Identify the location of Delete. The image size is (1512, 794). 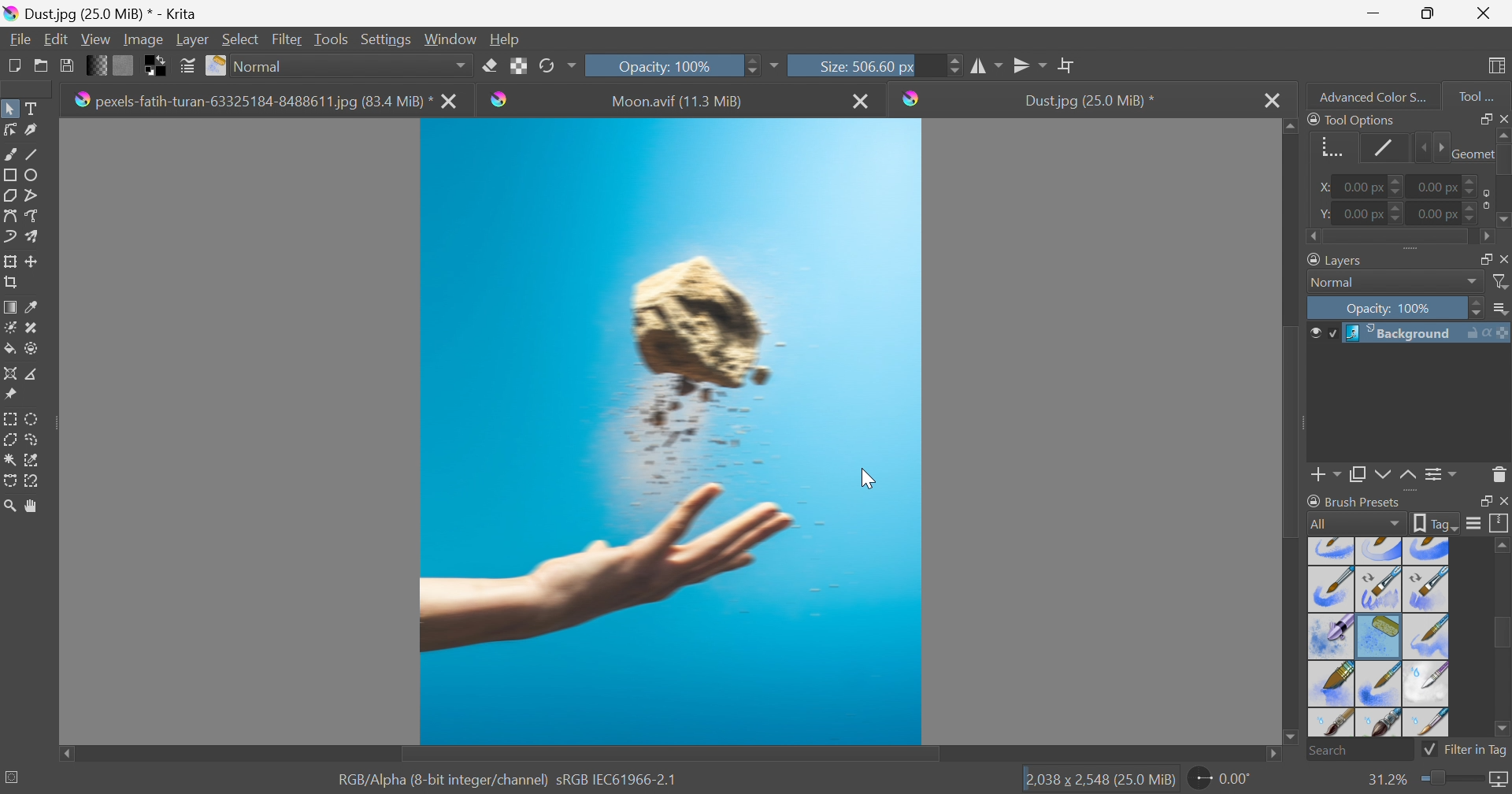
(1499, 473).